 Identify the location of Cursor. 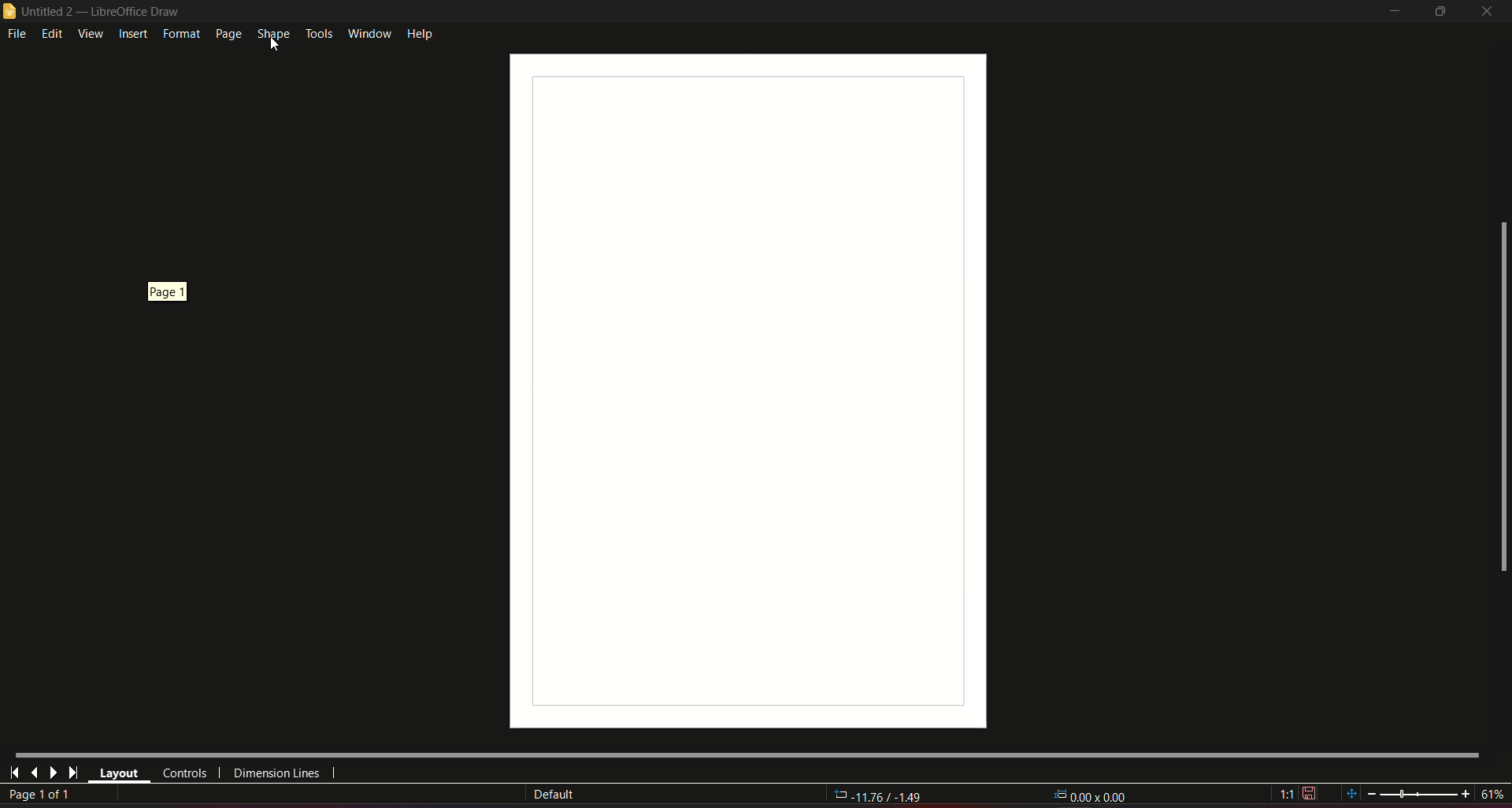
(275, 44).